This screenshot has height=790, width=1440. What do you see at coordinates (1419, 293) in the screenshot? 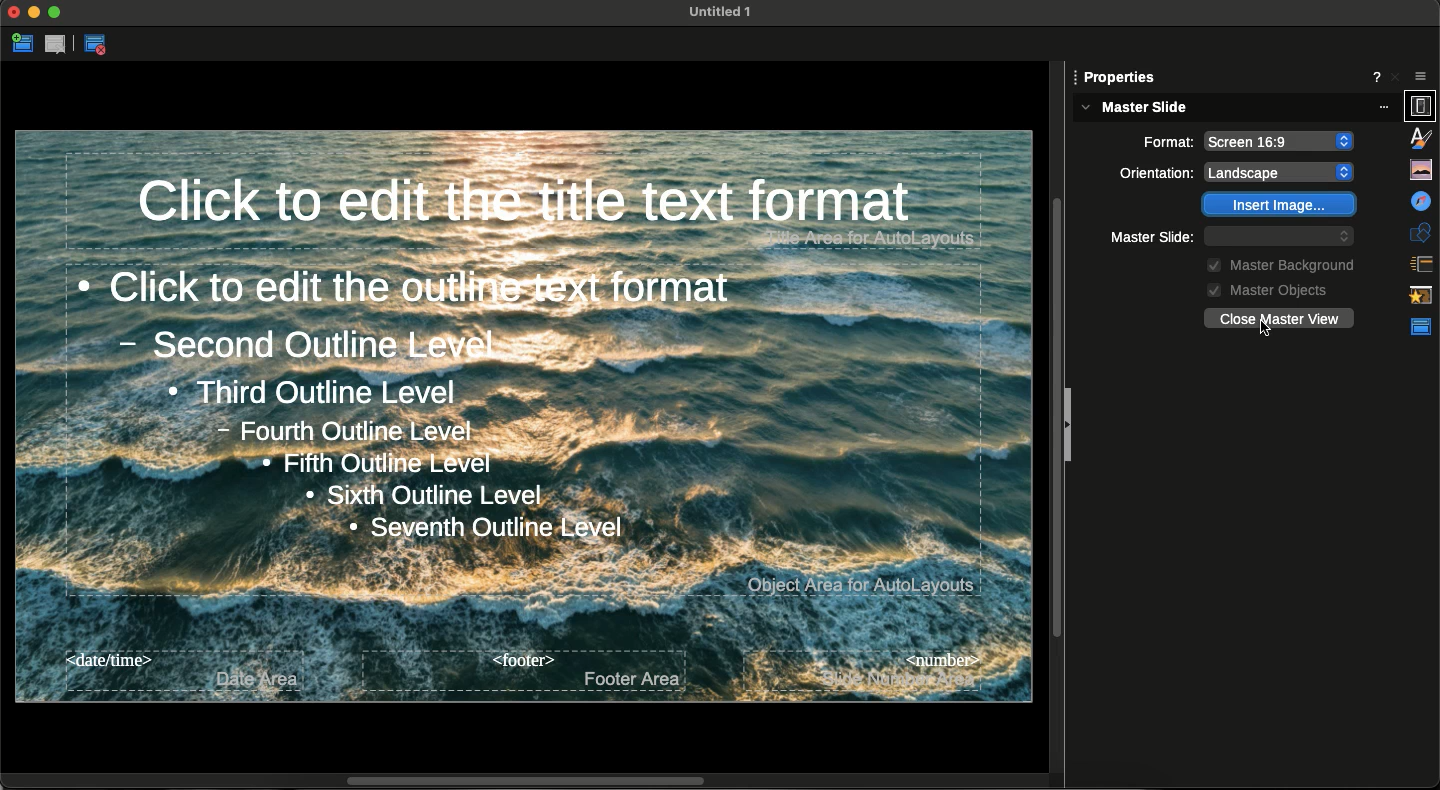
I see `Master slides` at bounding box center [1419, 293].